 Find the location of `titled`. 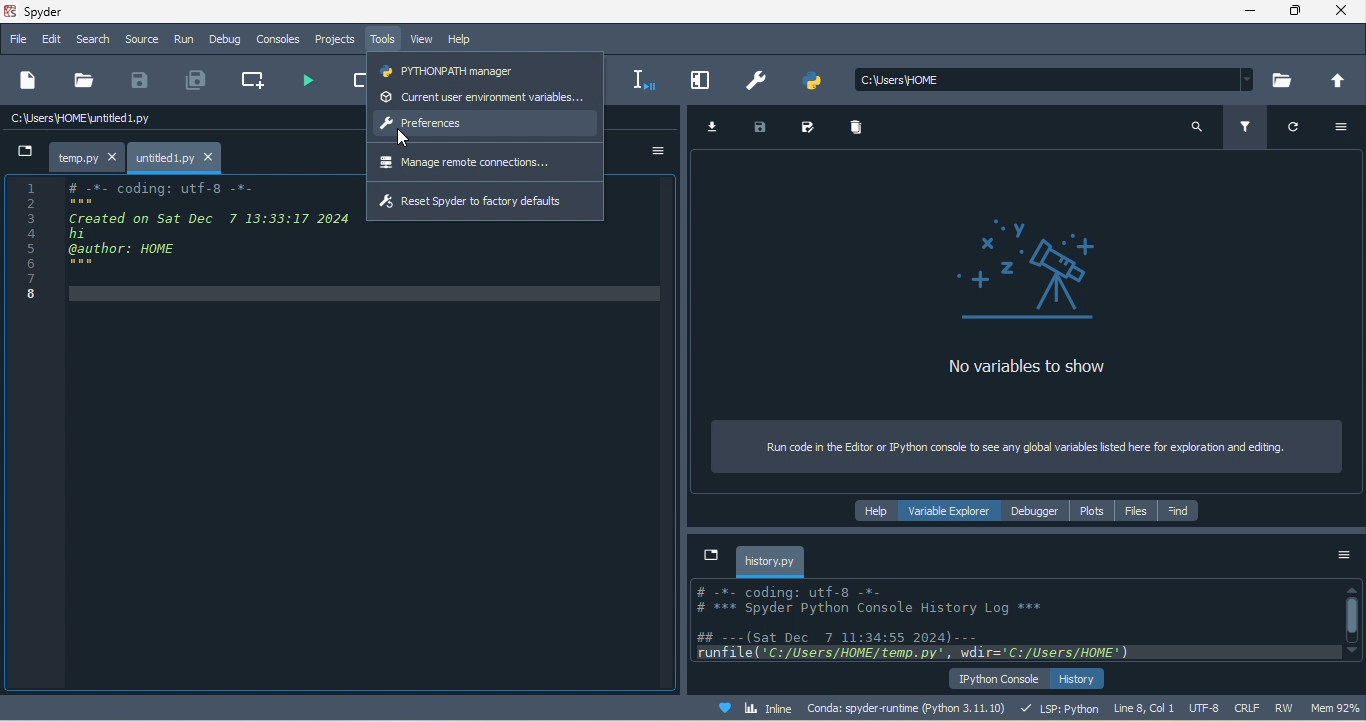

titled is located at coordinates (64, 13).